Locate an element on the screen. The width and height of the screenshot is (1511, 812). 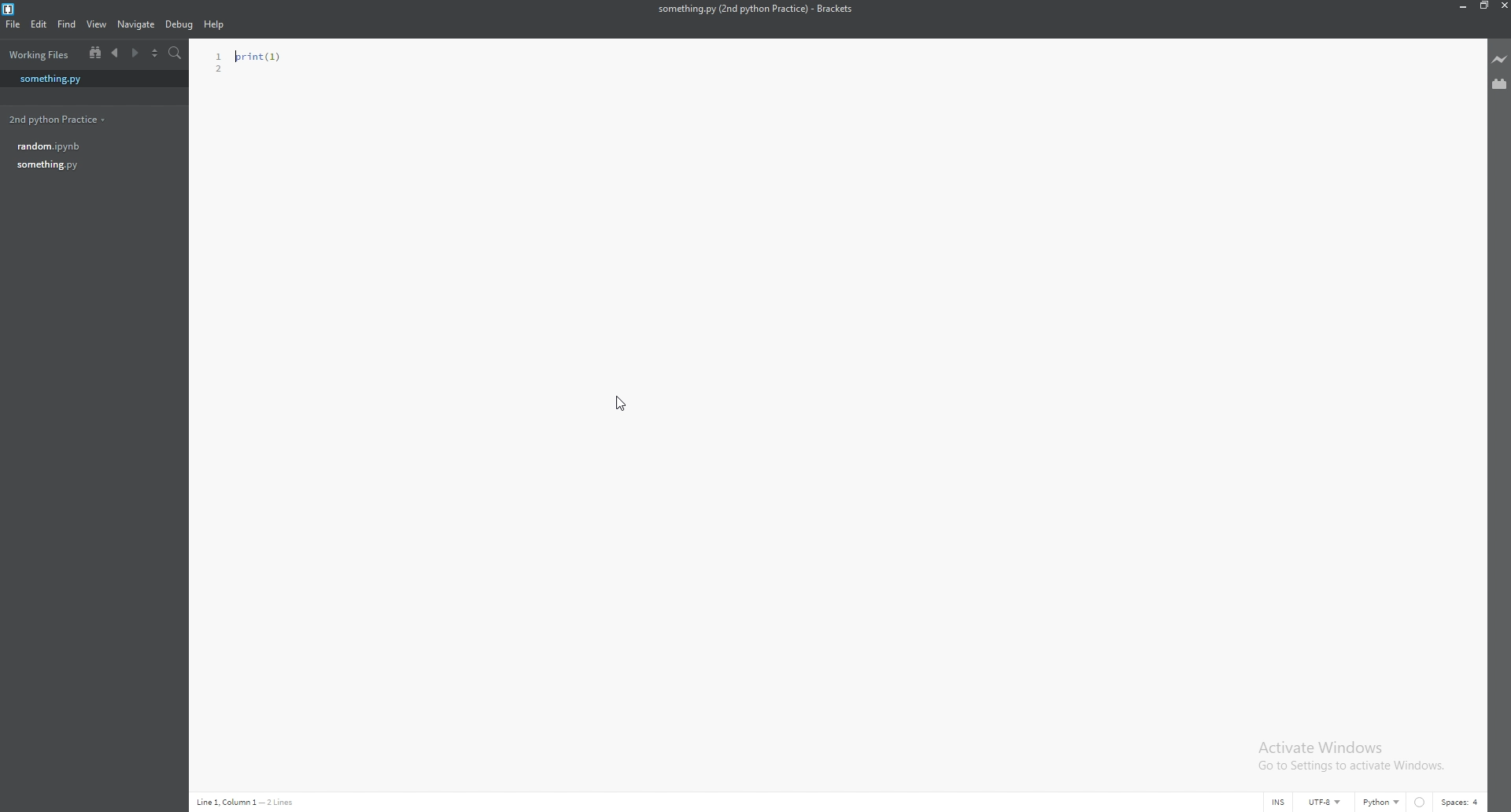
find is located at coordinates (67, 24).